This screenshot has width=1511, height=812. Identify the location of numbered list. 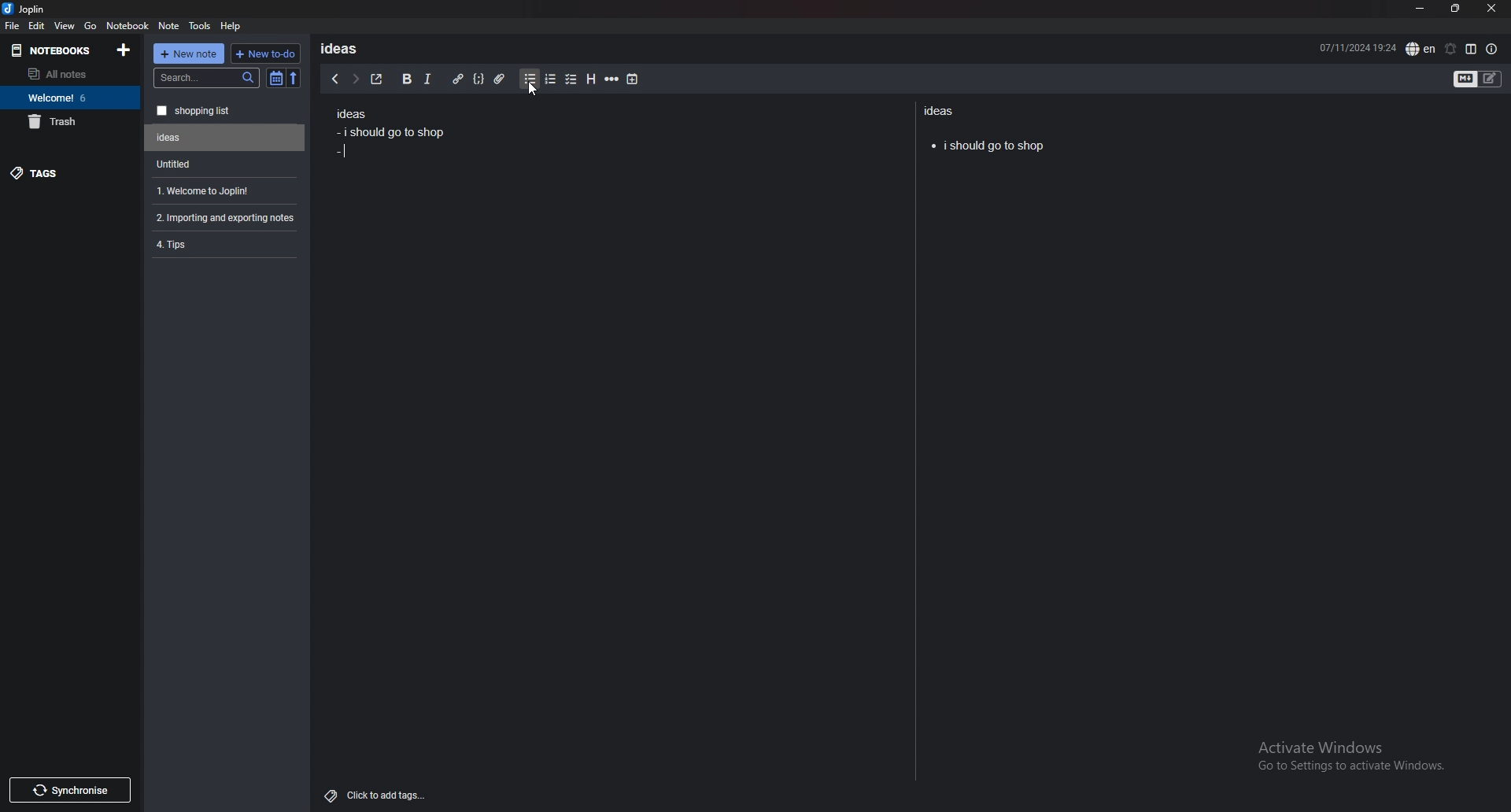
(549, 79).